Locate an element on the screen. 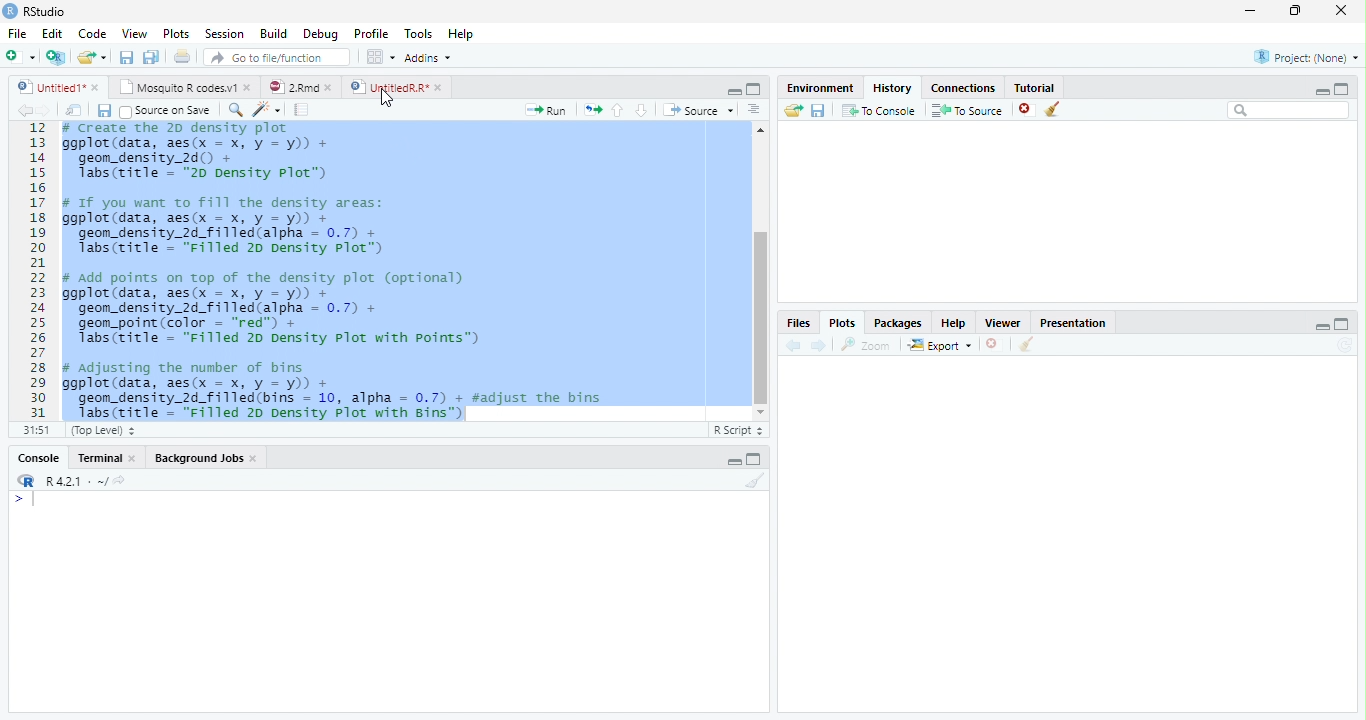  History is located at coordinates (892, 88).